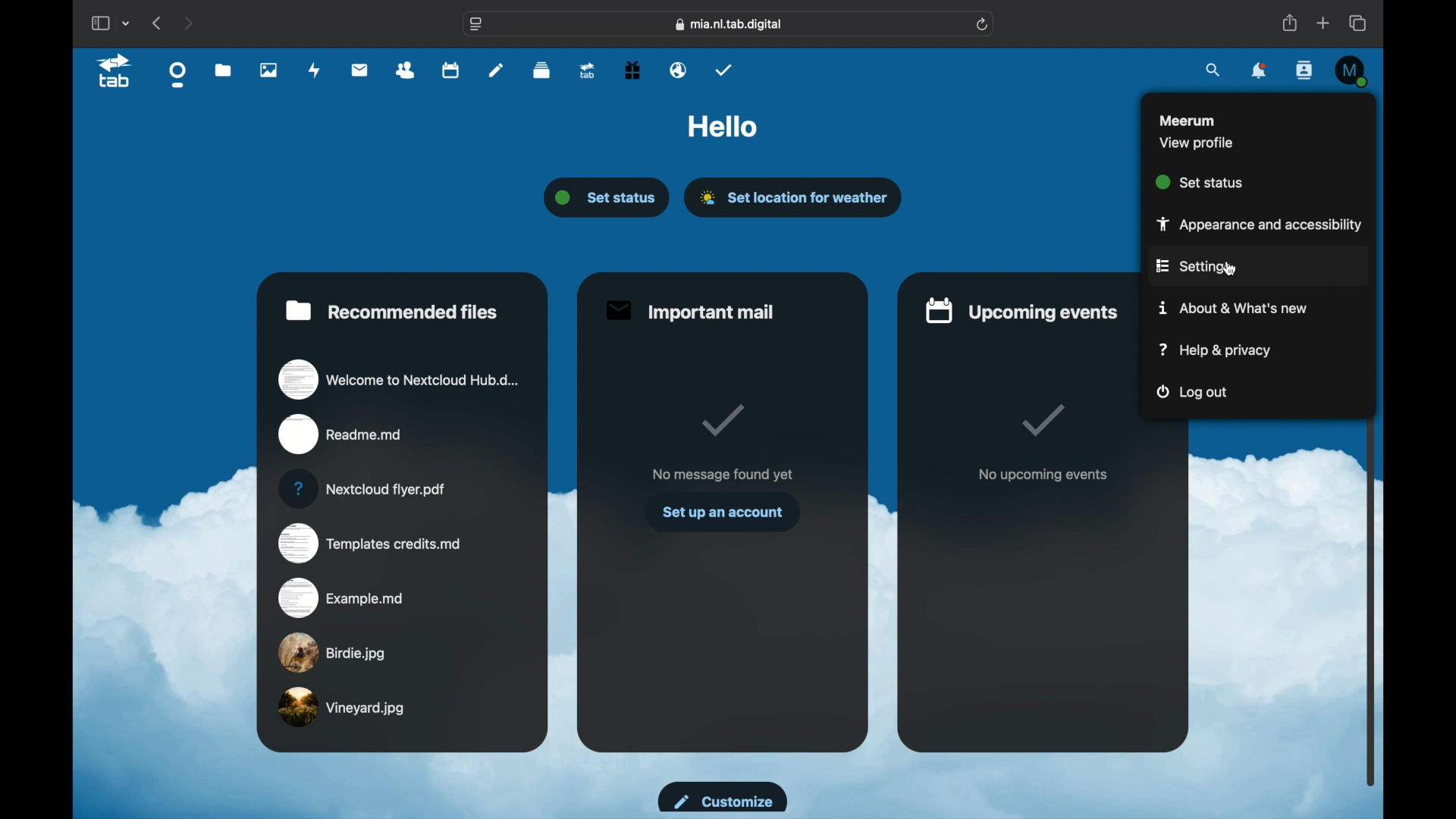 This screenshot has height=819, width=1456. I want to click on search, so click(1214, 69).